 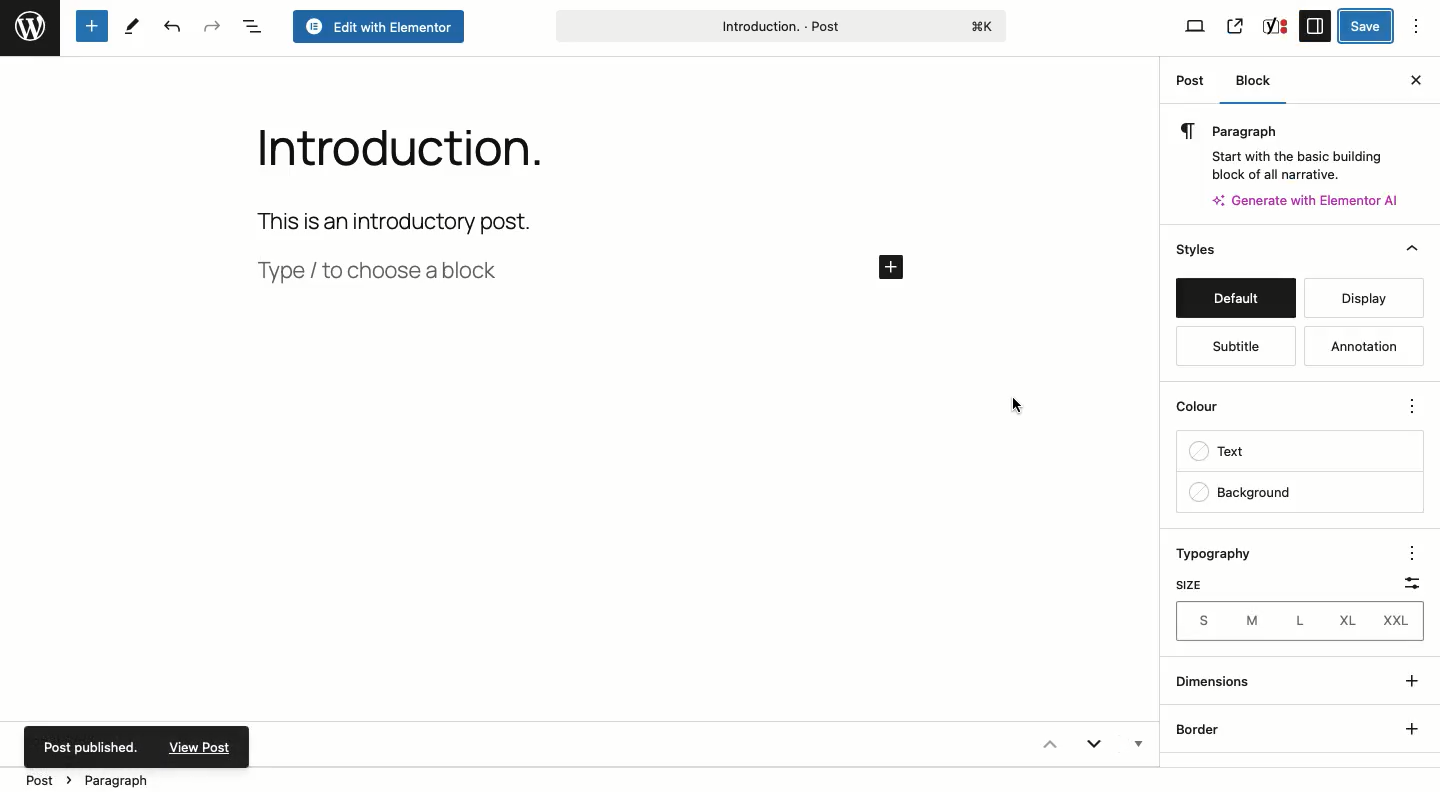 I want to click on Border, so click(x=1201, y=730).